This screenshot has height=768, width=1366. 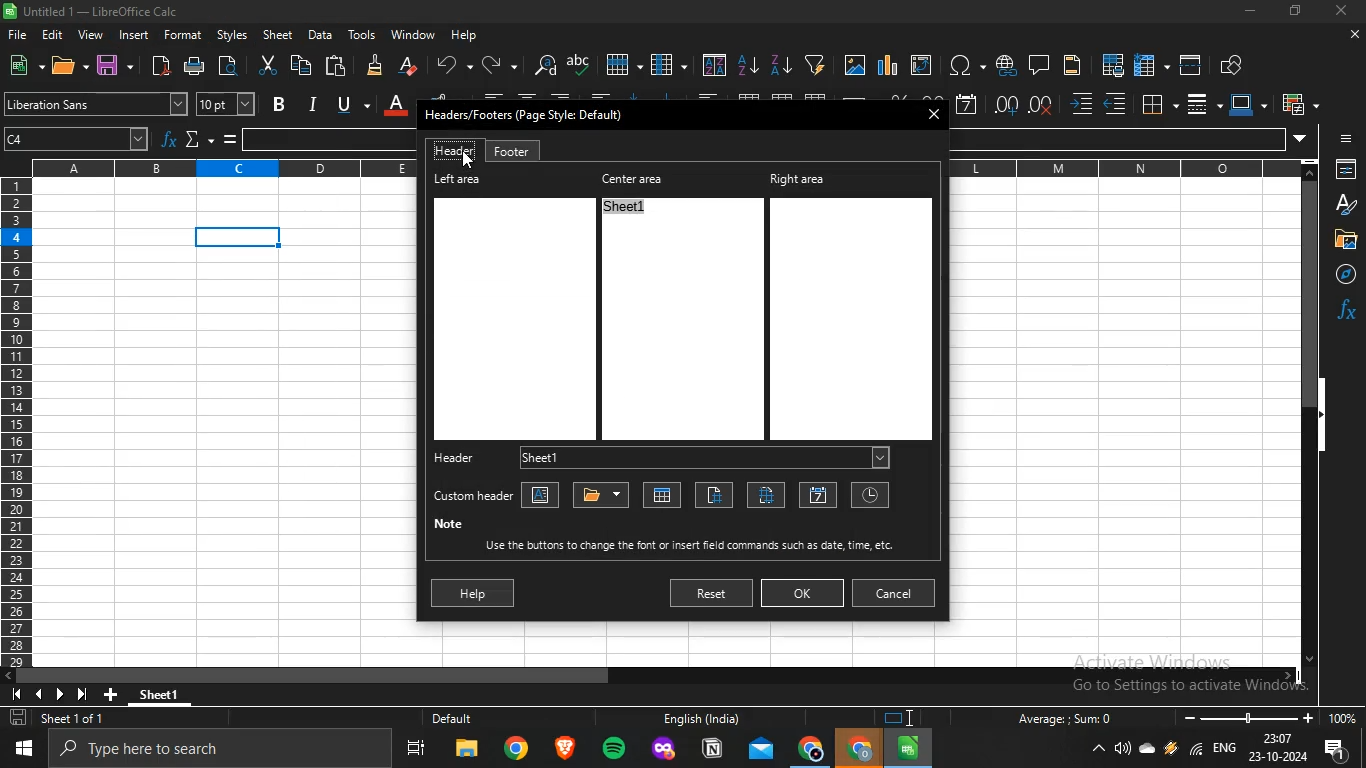 What do you see at coordinates (1115, 104) in the screenshot?
I see `decrease indent` at bounding box center [1115, 104].